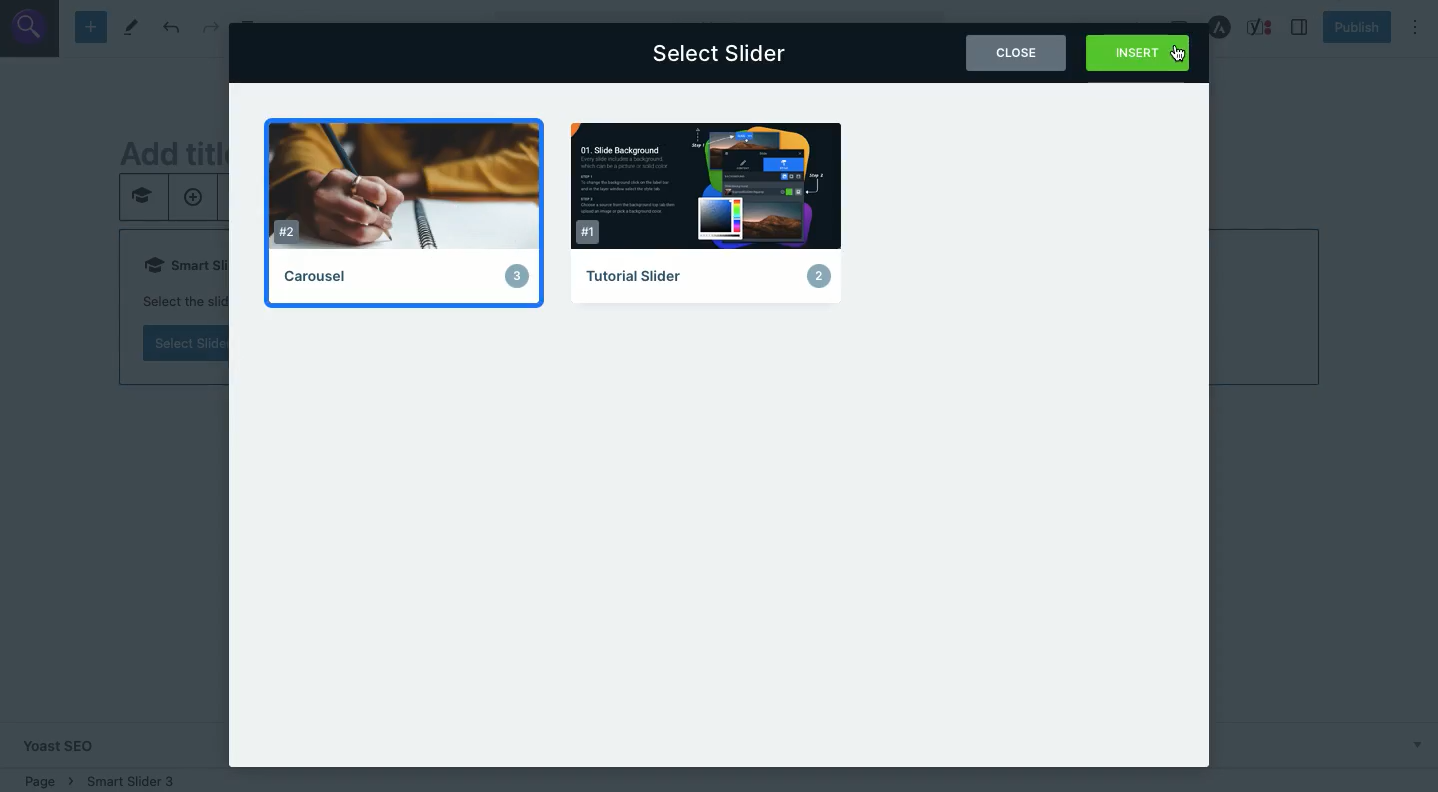 The image size is (1438, 792). What do you see at coordinates (1016, 54) in the screenshot?
I see `Close` at bounding box center [1016, 54].